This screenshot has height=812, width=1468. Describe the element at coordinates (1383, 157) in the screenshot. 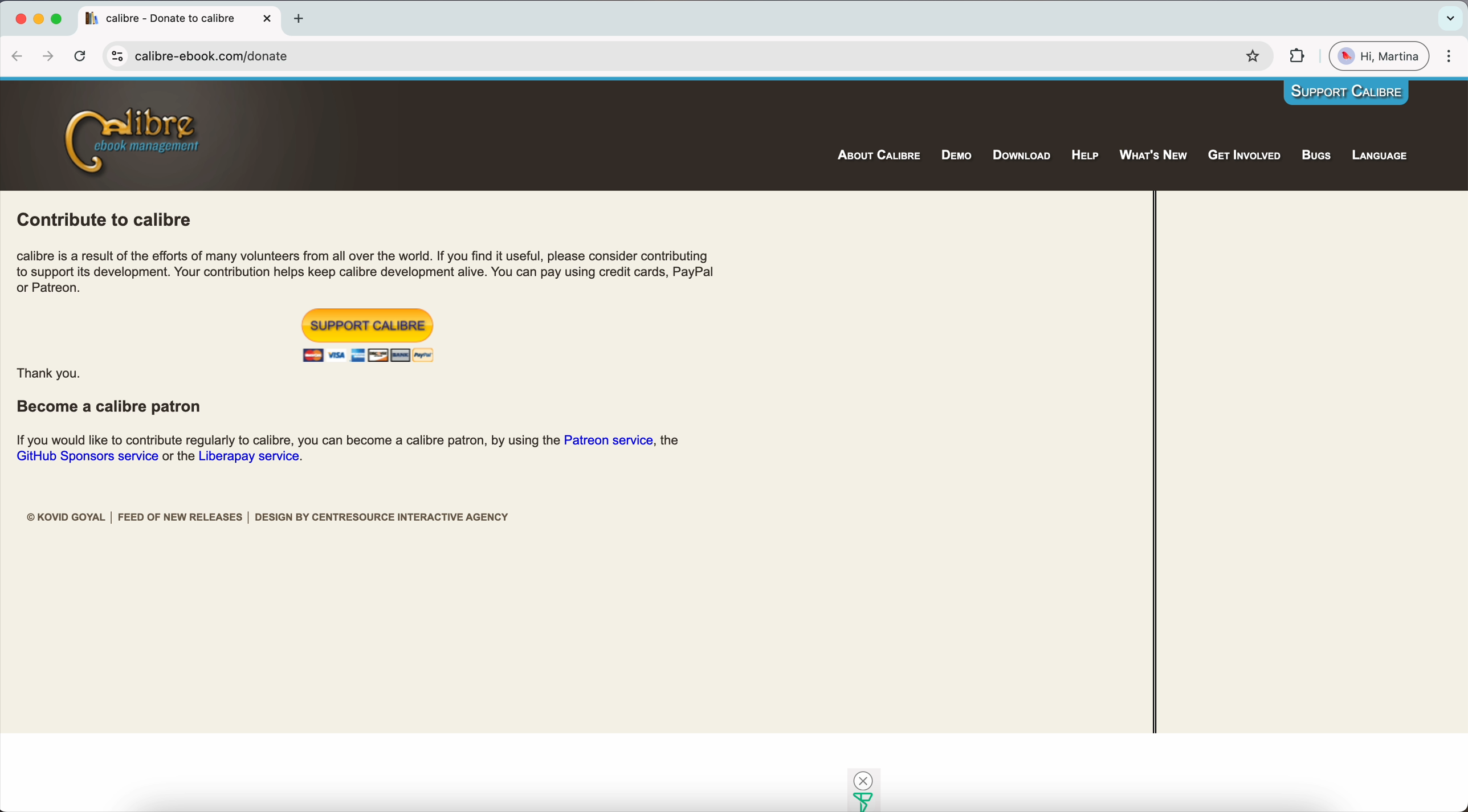

I see `Language` at that location.